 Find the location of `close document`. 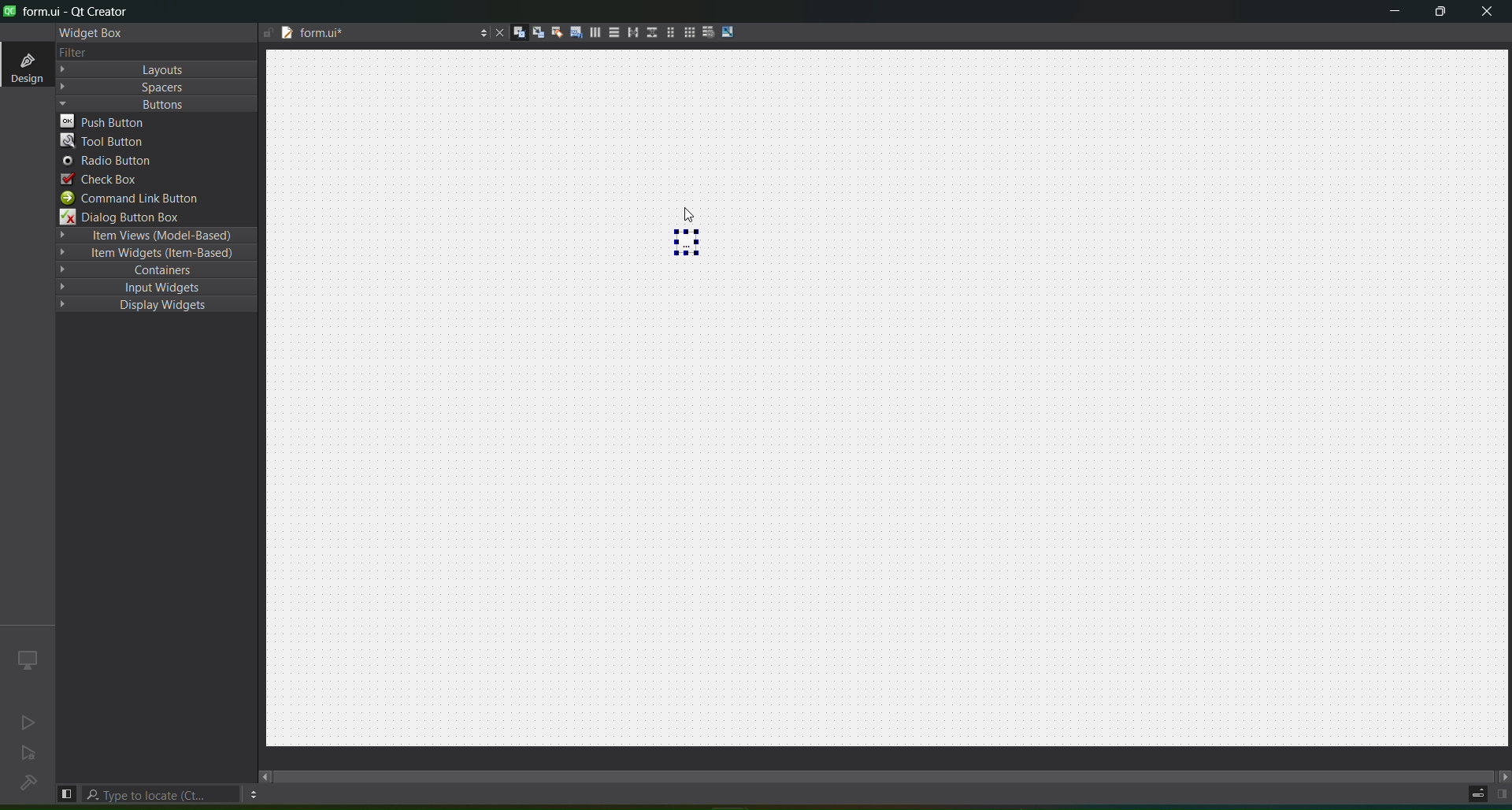

close document is located at coordinates (498, 33).